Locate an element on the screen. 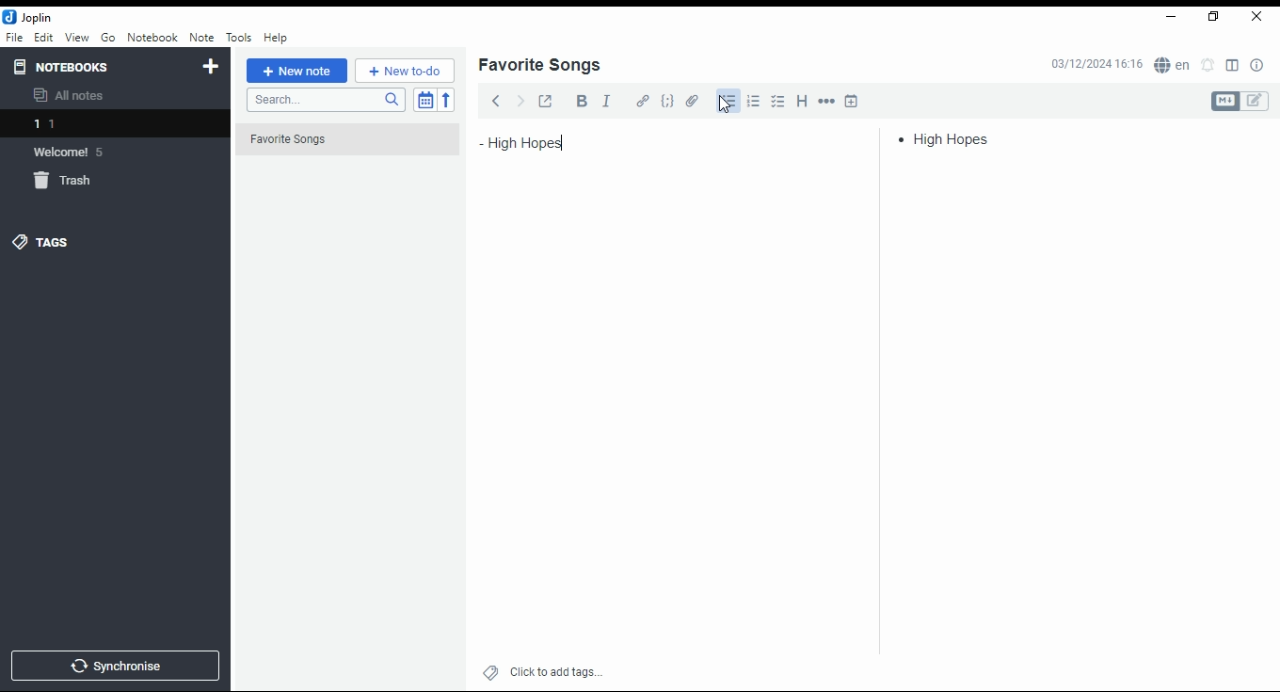 This screenshot has height=692, width=1280. notebook 1 is located at coordinates (73, 126).